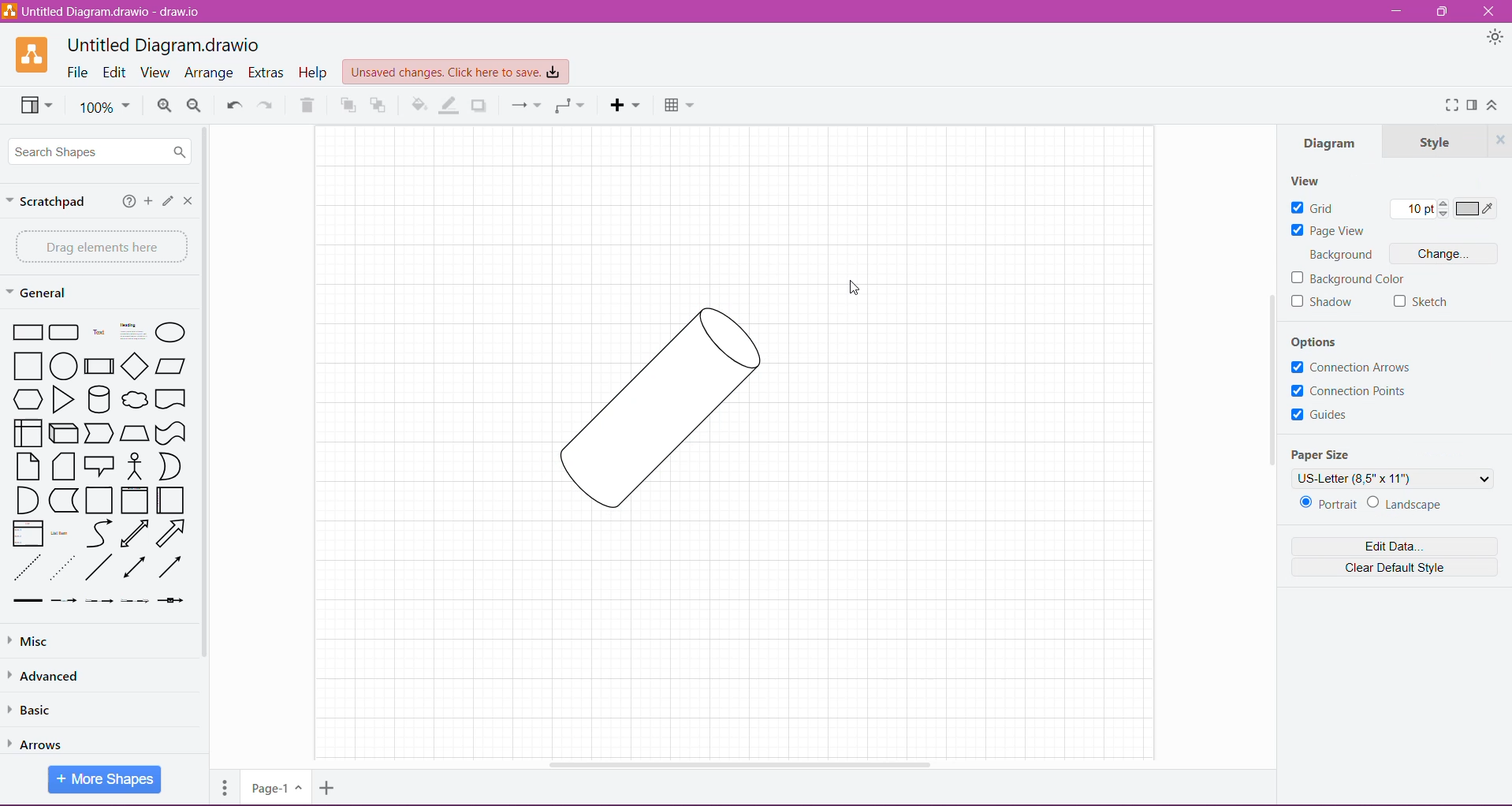 The height and width of the screenshot is (806, 1512). Describe the element at coordinates (1352, 392) in the screenshot. I see `Connection Points` at that location.